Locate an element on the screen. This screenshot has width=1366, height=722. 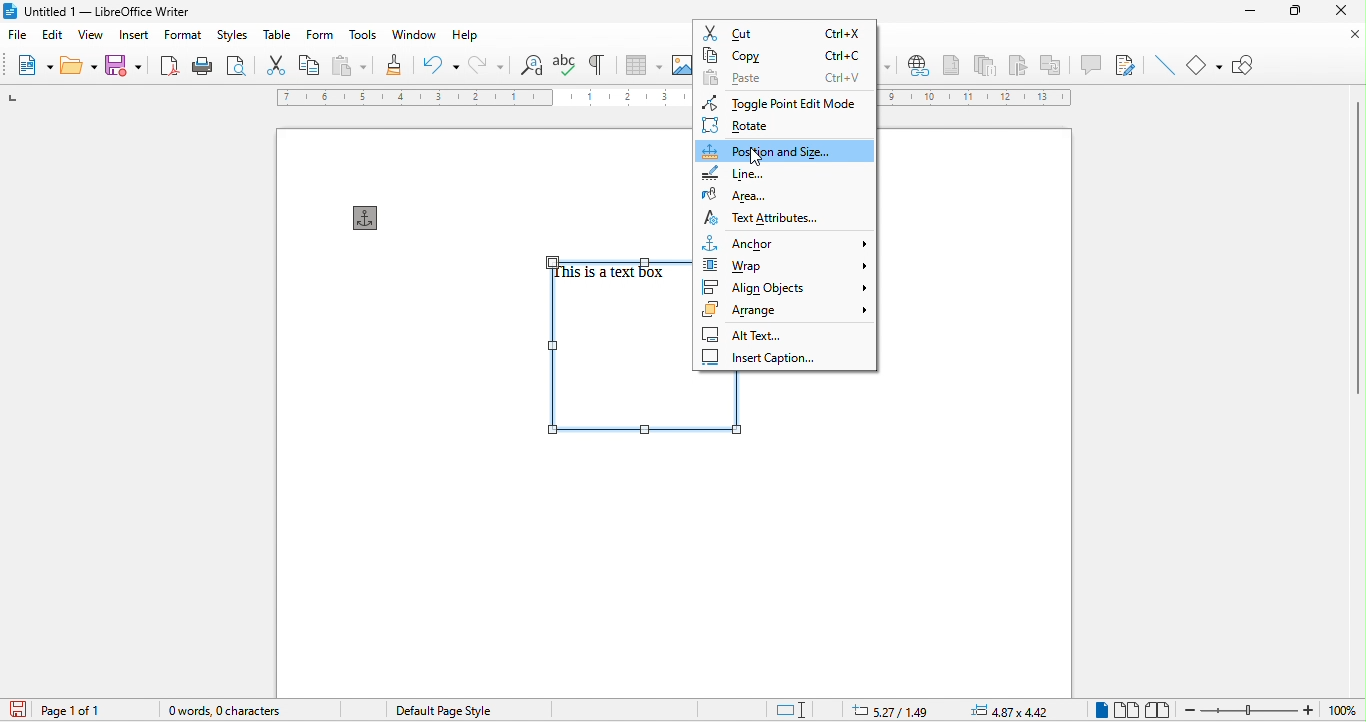
default page style is located at coordinates (438, 712).